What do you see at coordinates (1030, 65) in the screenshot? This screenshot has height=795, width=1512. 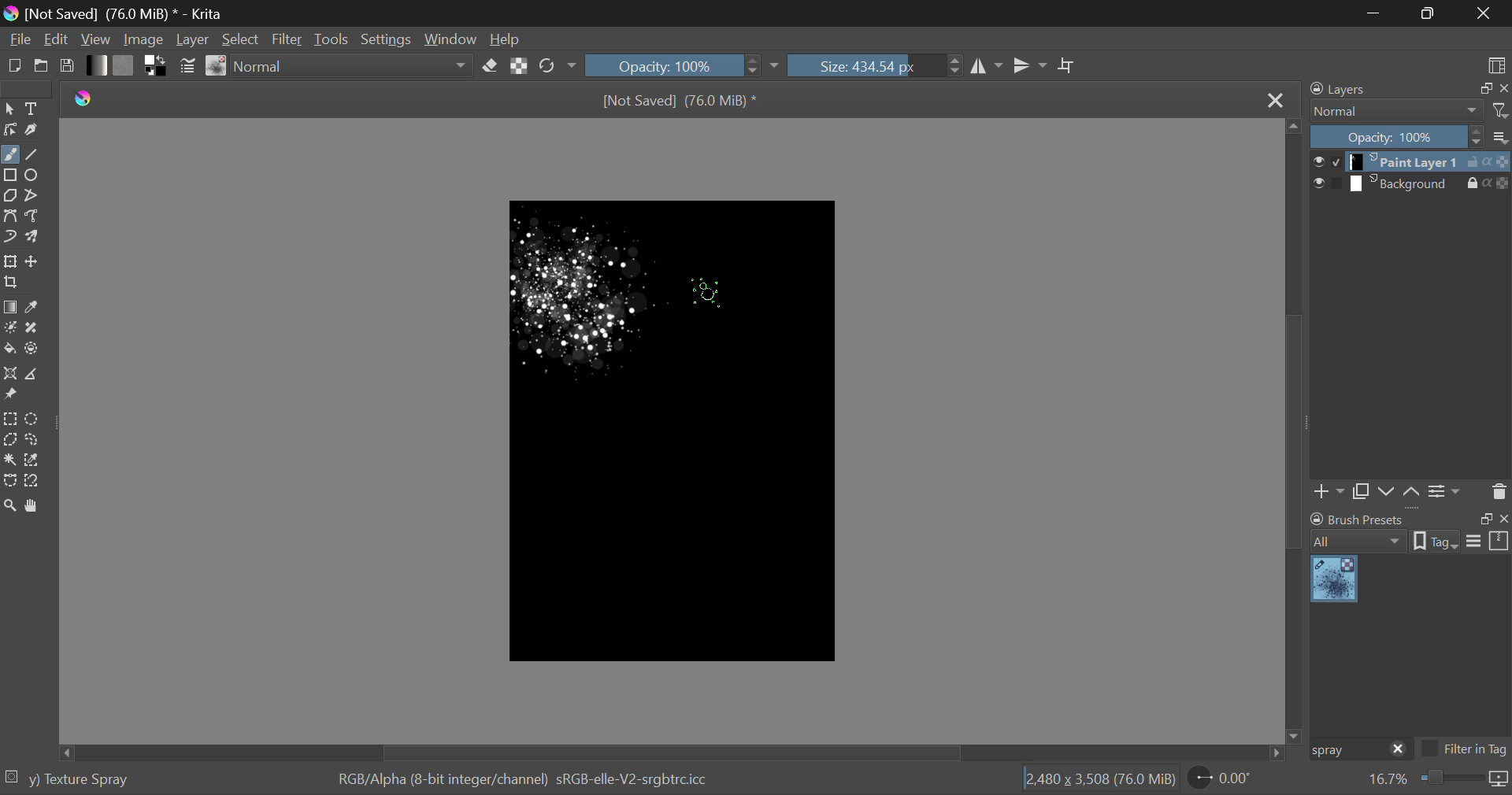 I see `Horizontal Mirror Flip` at bounding box center [1030, 65].